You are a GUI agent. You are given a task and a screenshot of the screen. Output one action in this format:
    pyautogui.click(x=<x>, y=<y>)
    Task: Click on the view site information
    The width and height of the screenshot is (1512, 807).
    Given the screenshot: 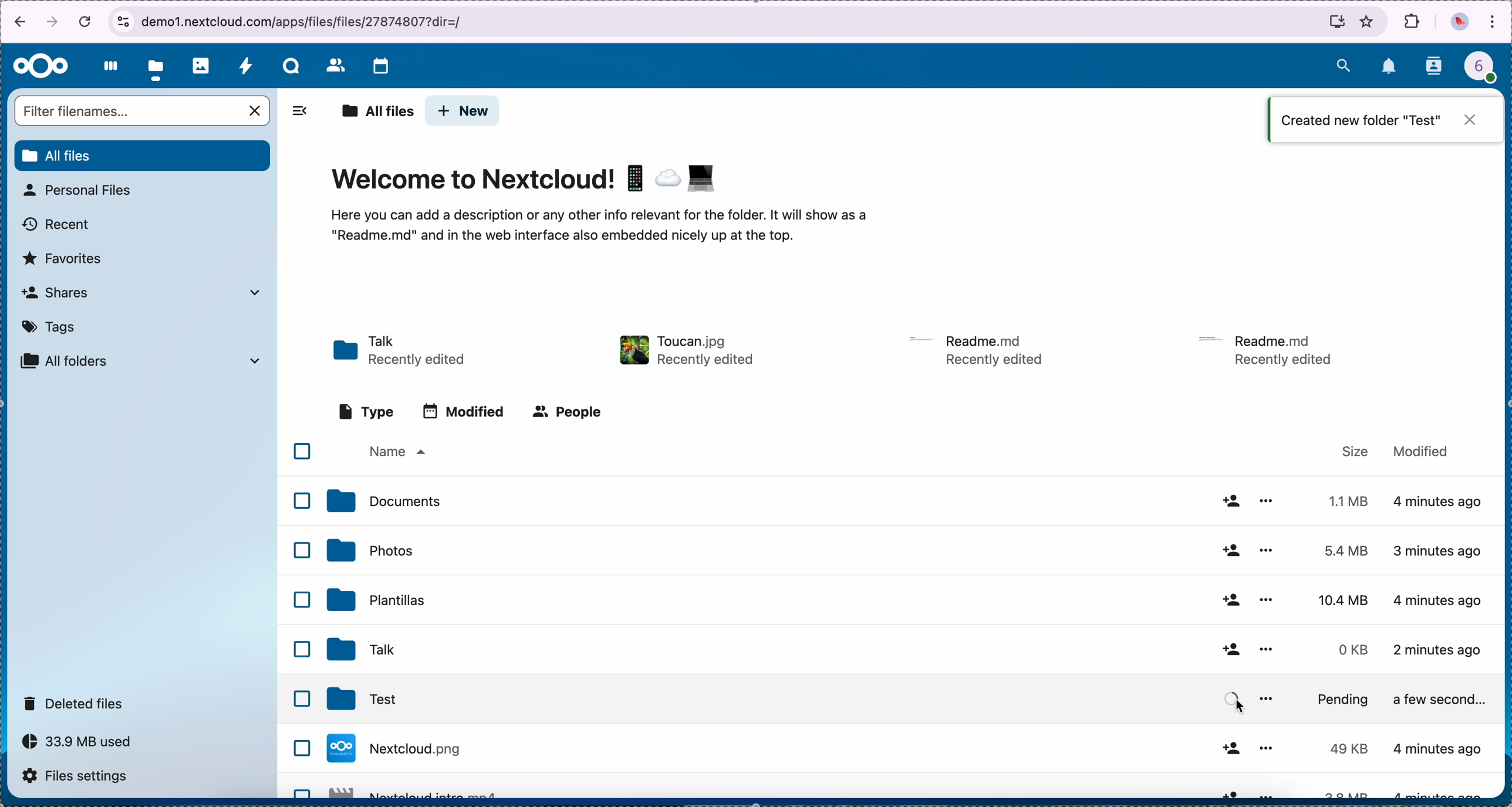 What is the action you would take?
    pyautogui.click(x=123, y=22)
    